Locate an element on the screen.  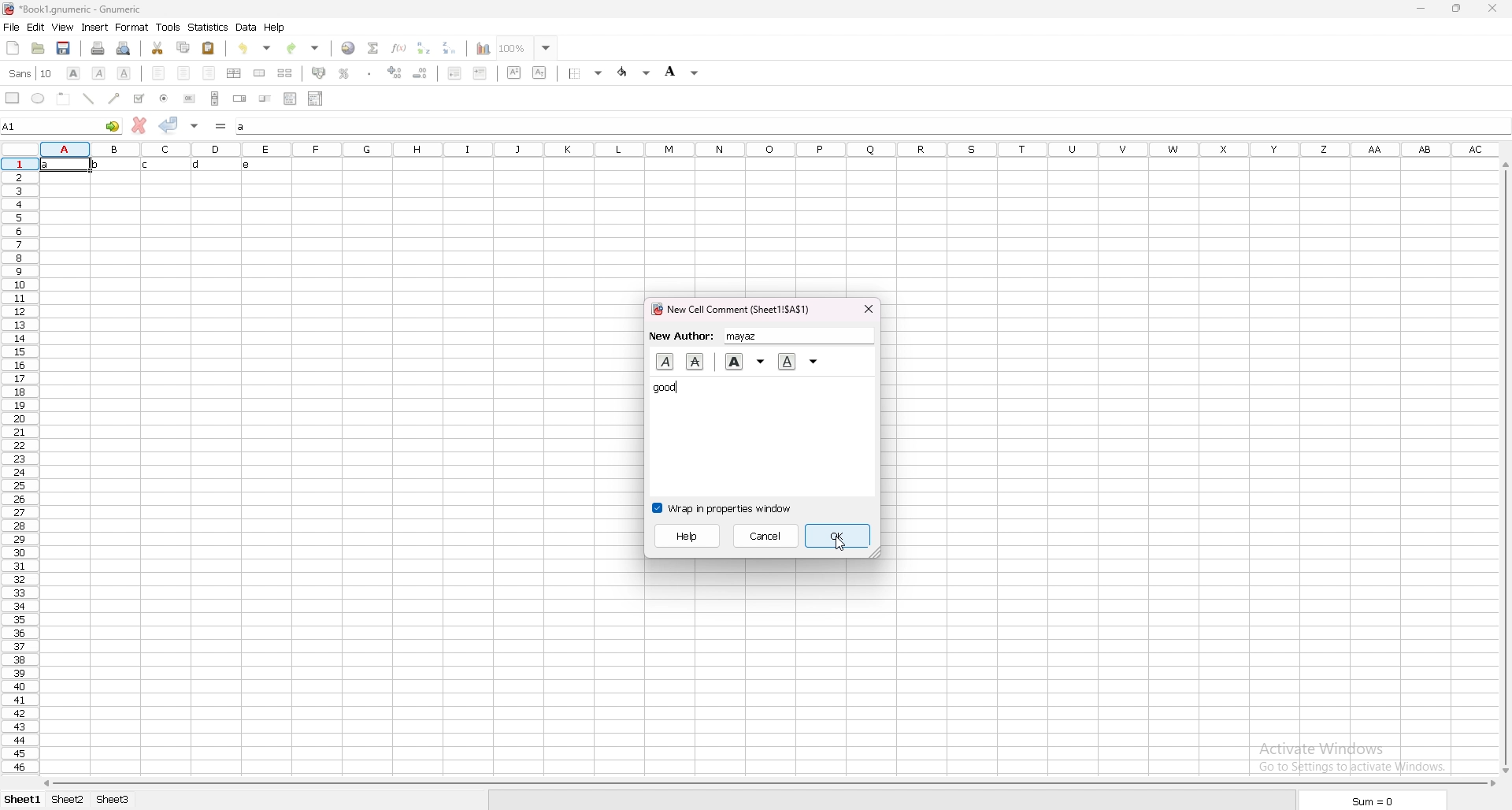
font is located at coordinates (31, 73).